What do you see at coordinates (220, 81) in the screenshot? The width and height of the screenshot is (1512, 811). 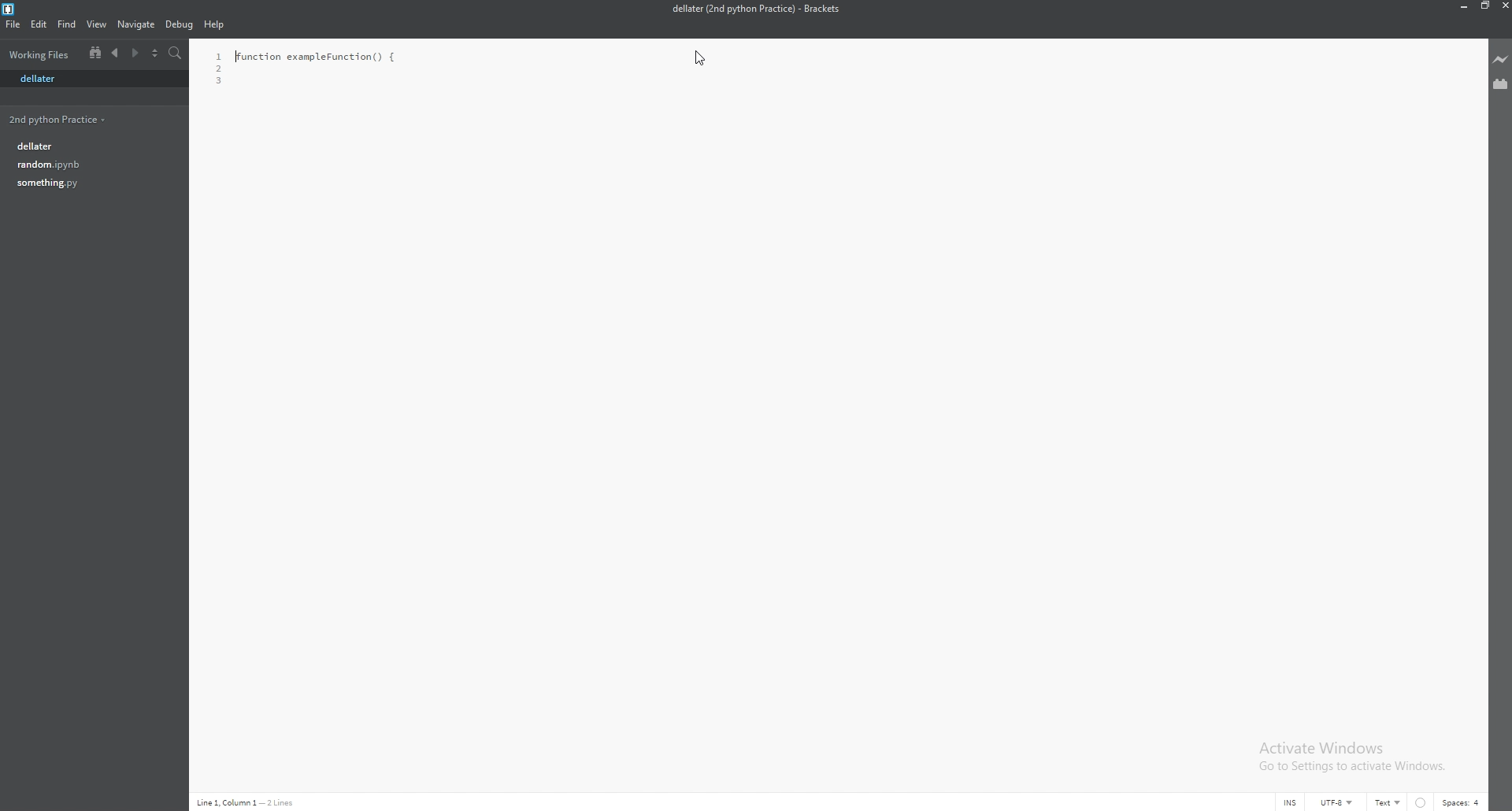 I see `3` at bounding box center [220, 81].